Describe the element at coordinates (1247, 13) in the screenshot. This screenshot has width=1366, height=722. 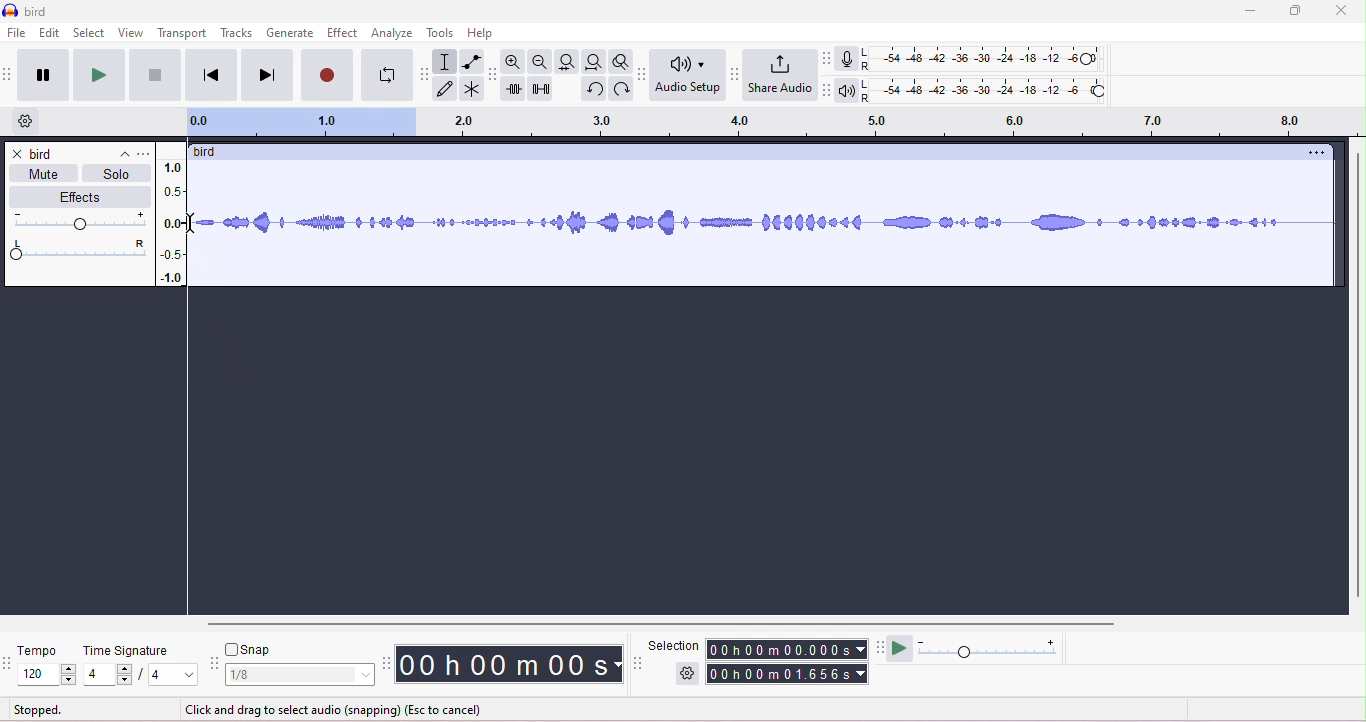
I see `minimize` at that location.